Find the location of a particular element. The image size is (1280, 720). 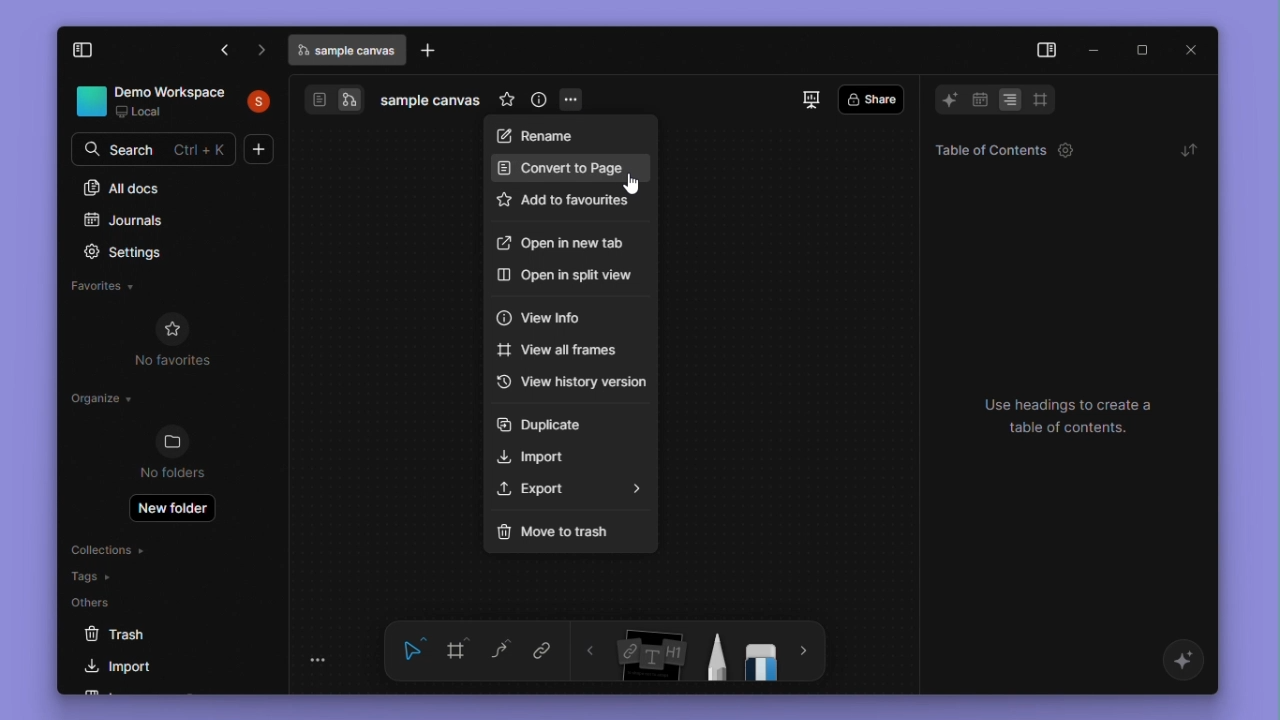

Move to trash is located at coordinates (554, 528).